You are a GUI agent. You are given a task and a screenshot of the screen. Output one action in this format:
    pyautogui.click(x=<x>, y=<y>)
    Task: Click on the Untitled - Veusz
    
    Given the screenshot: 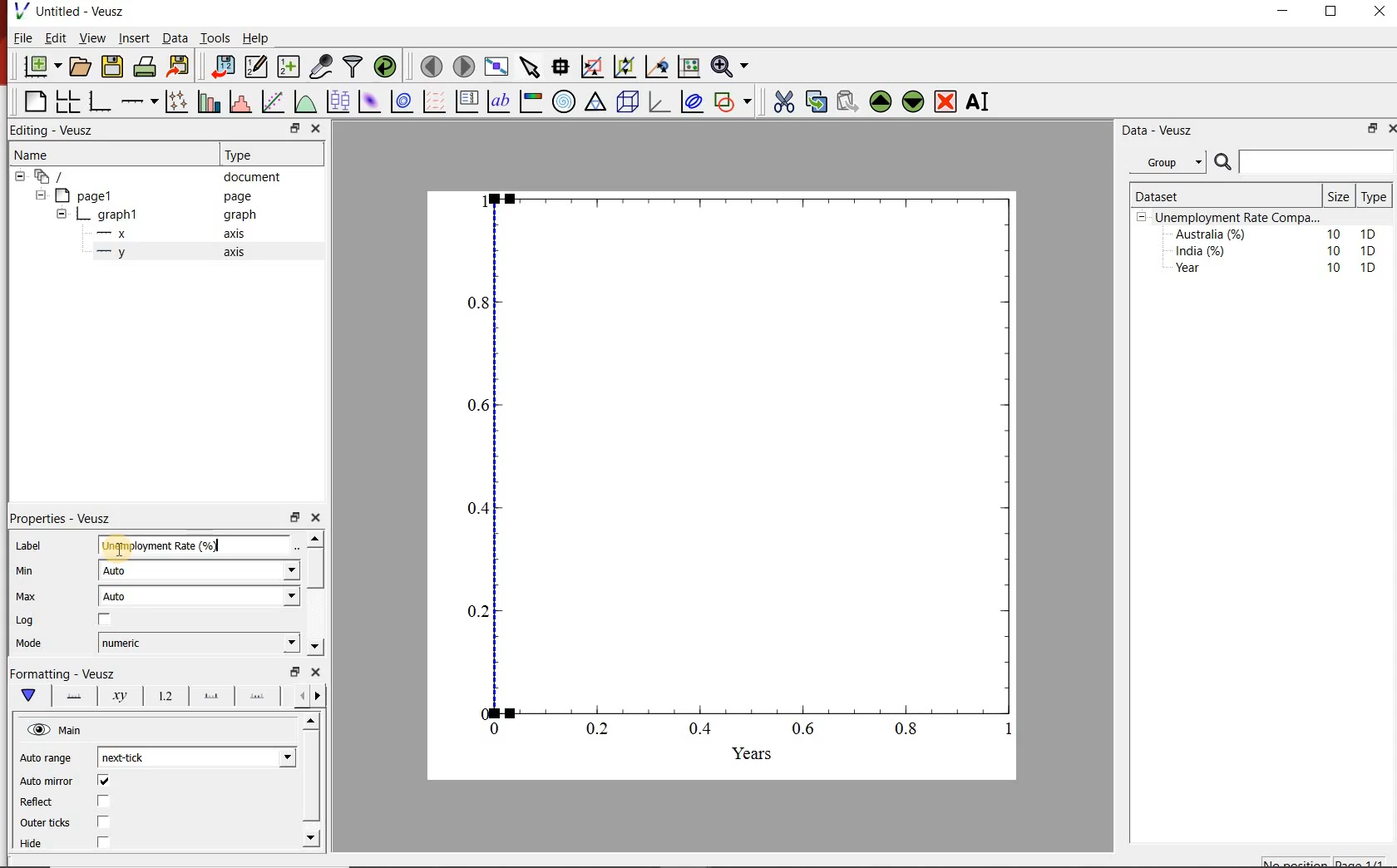 What is the action you would take?
    pyautogui.click(x=68, y=10)
    